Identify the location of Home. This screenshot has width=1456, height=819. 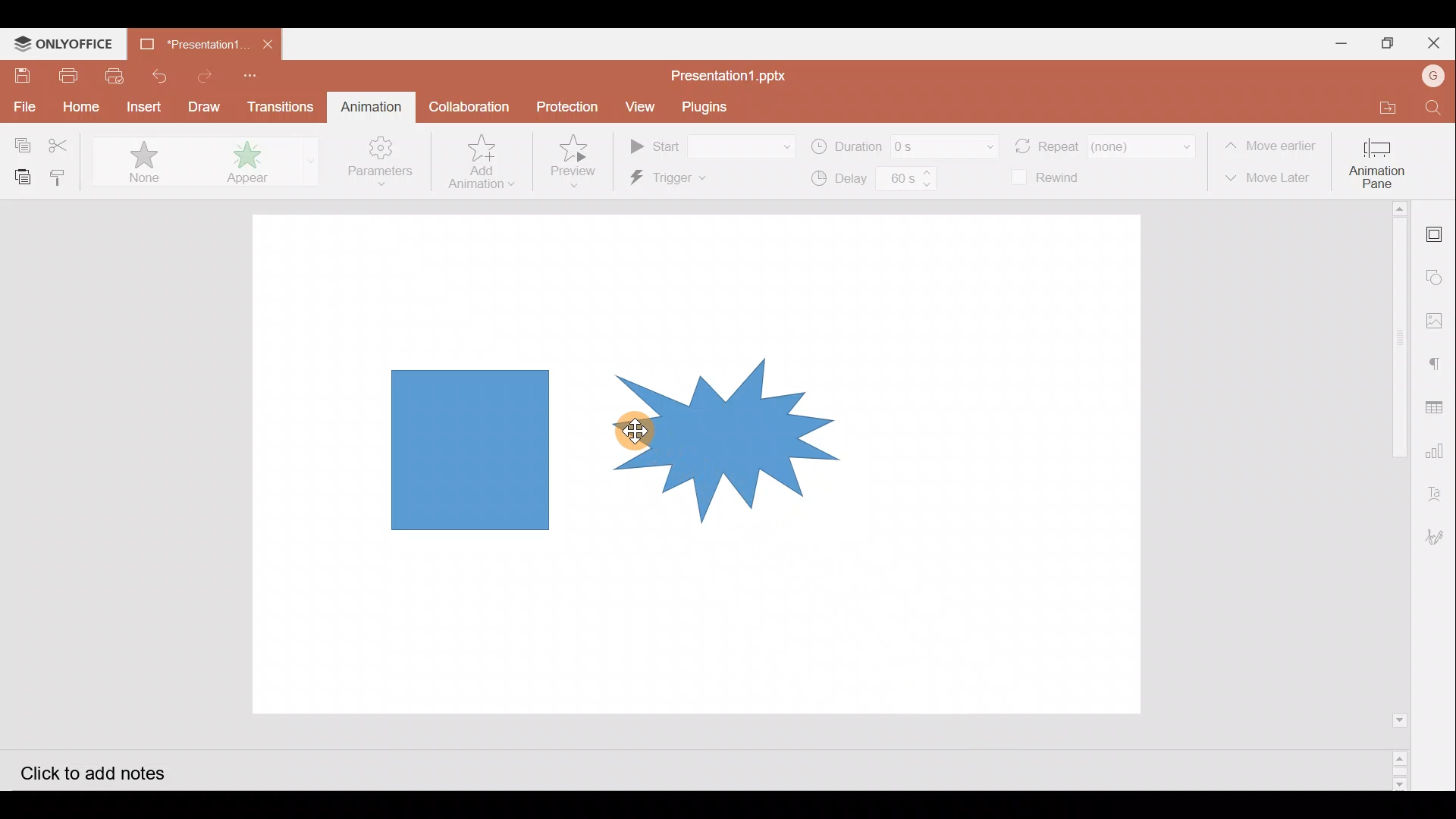
(77, 108).